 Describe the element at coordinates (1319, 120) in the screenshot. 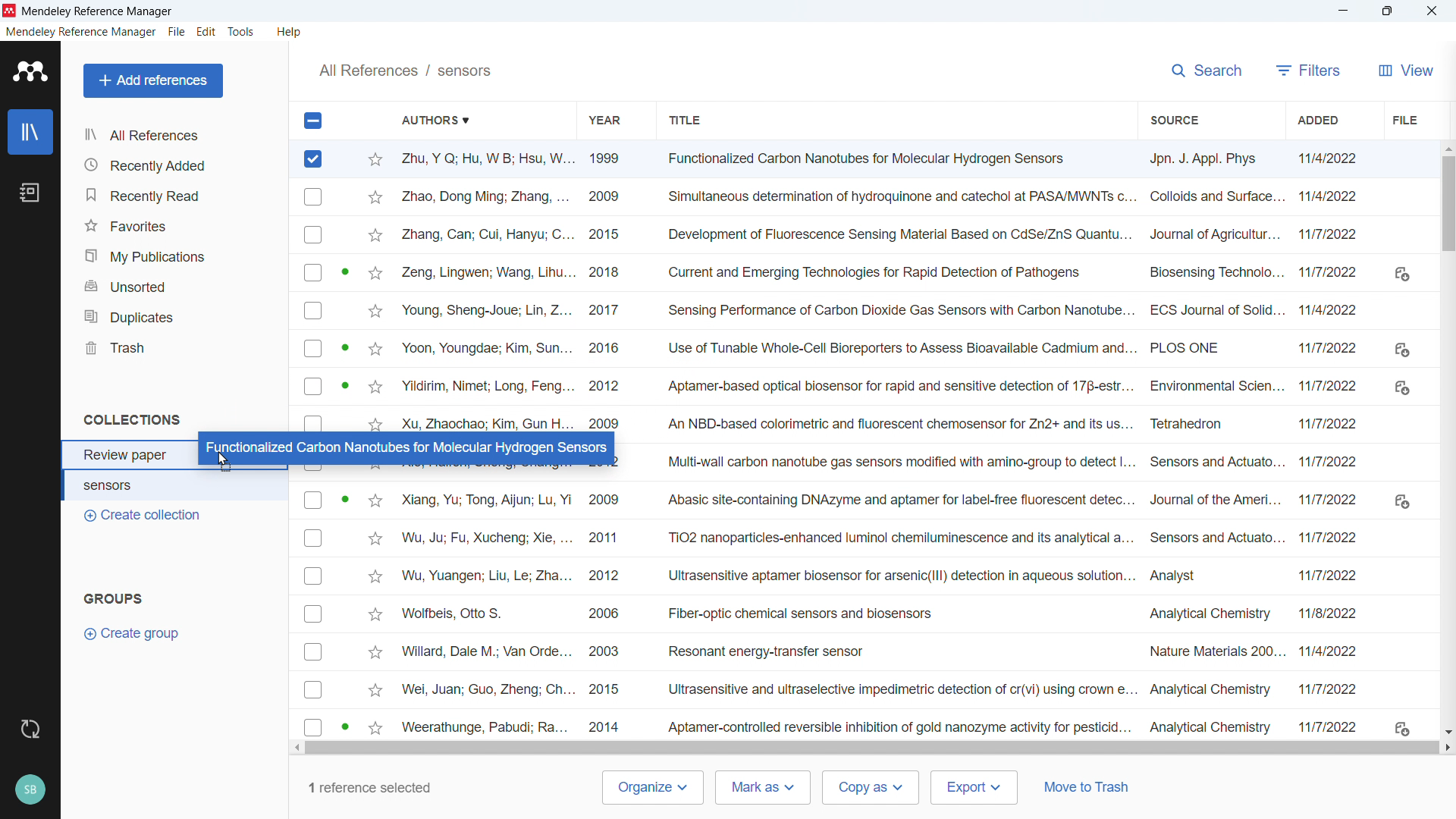

I see `Sort by date added ` at that location.